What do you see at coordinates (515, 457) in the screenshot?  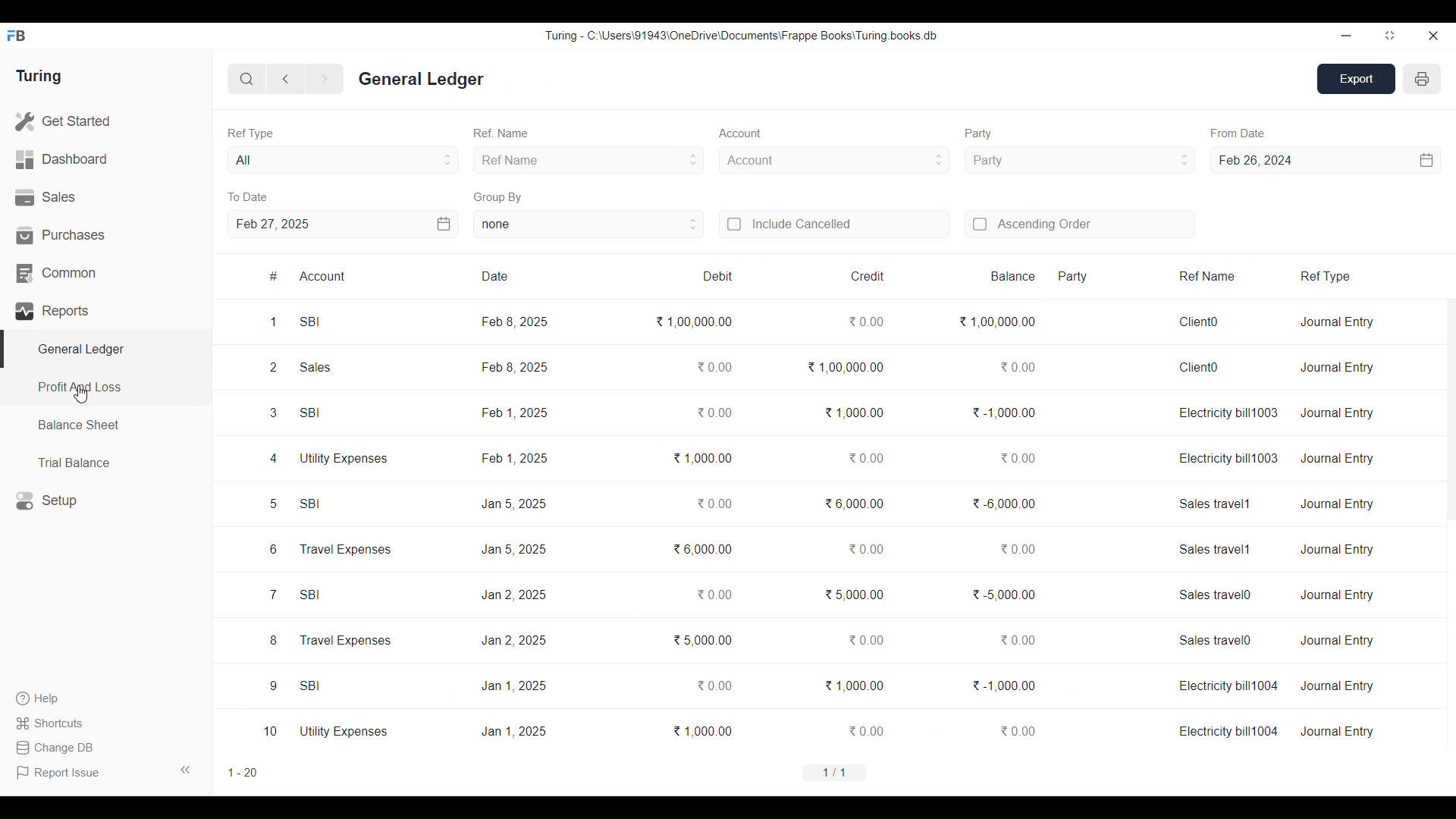 I see `Feb 1, 2025` at bounding box center [515, 457].